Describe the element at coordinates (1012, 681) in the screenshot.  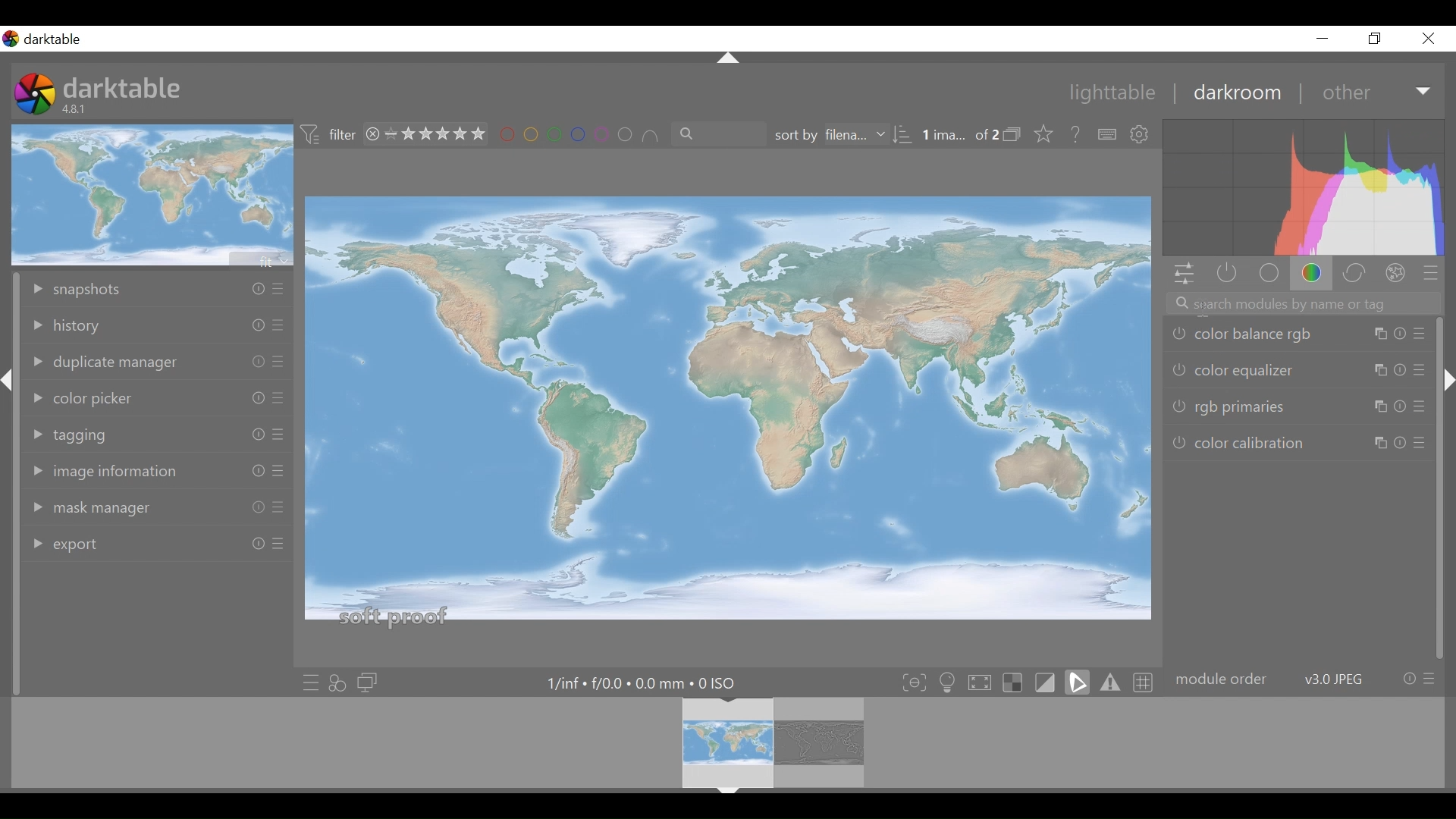
I see `toggle indication of raw overexposure` at that location.